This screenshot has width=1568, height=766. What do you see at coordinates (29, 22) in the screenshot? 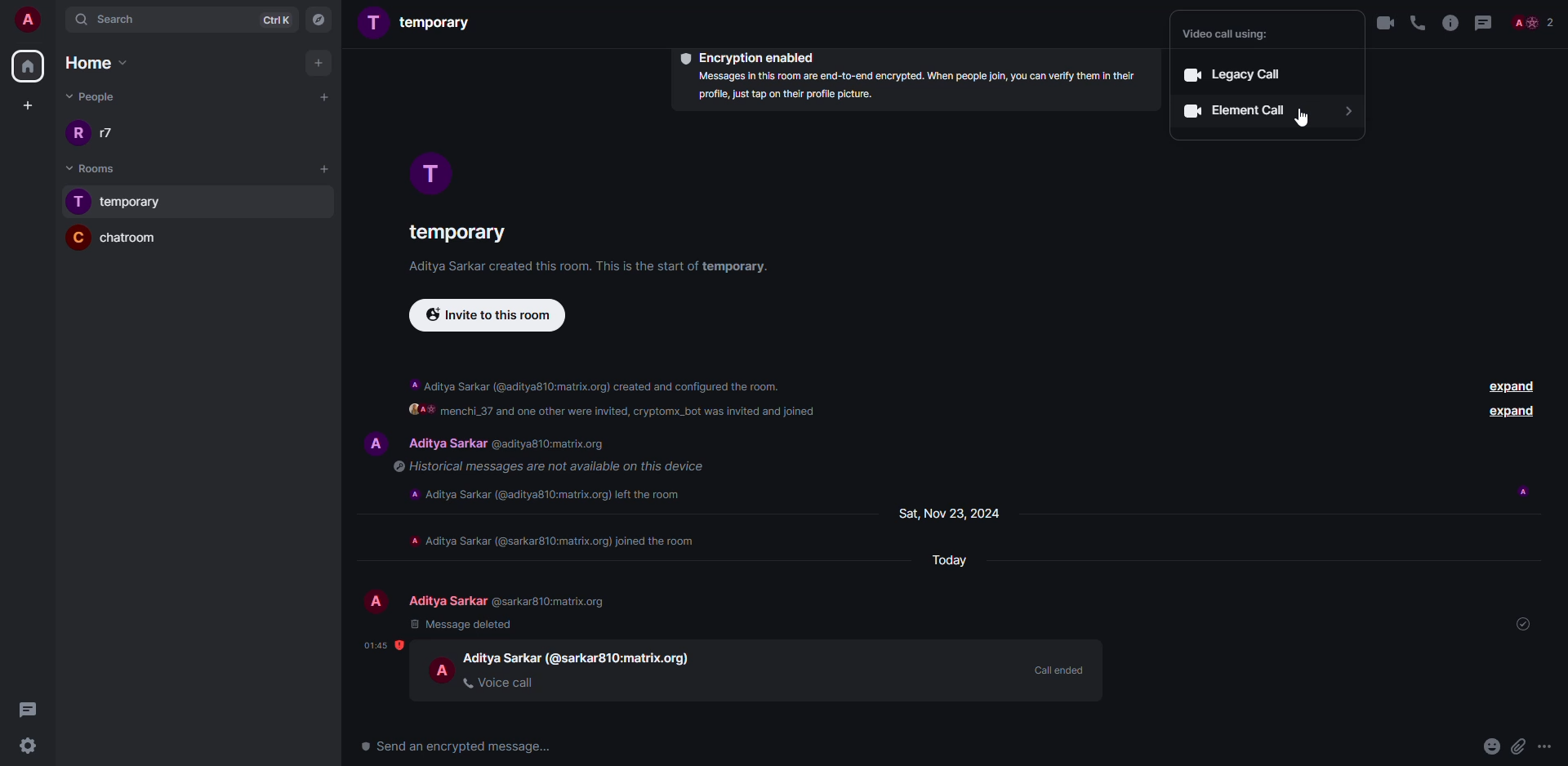
I see `account` at bounding box center [29, 22].